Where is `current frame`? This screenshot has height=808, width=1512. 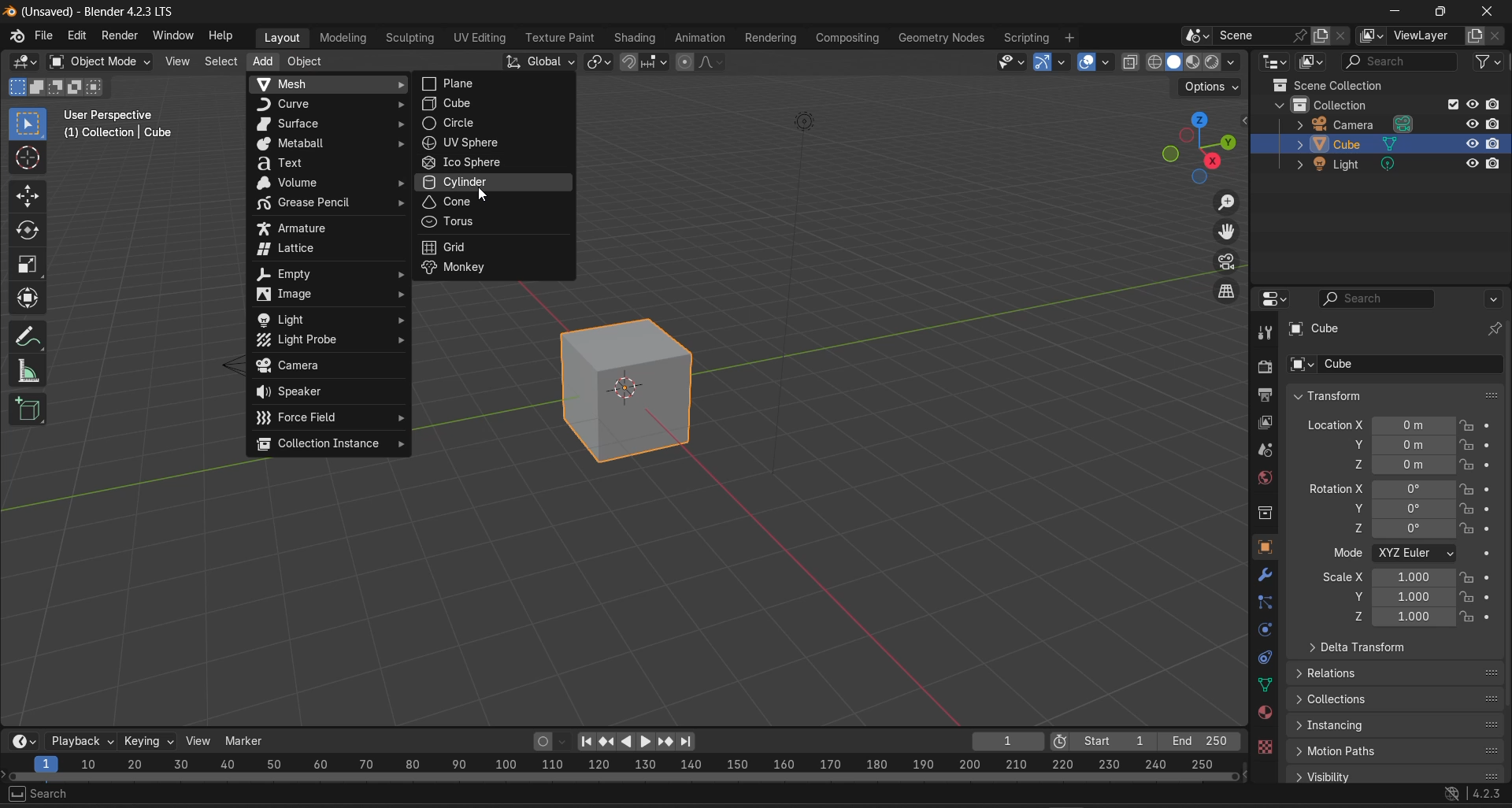 current frame is located at coordinates (1009, 739).